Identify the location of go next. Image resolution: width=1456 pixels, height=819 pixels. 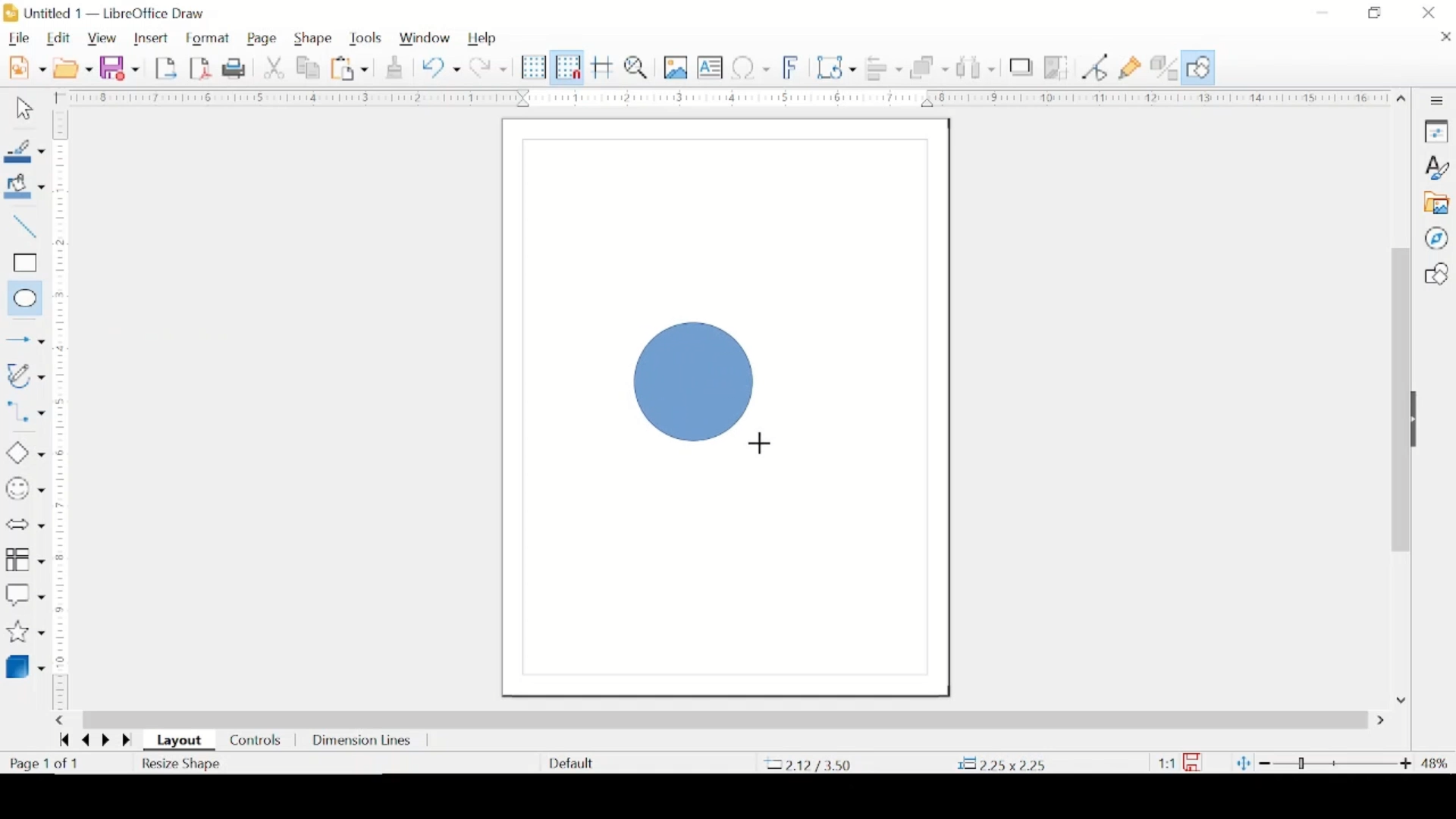
(102, 740).